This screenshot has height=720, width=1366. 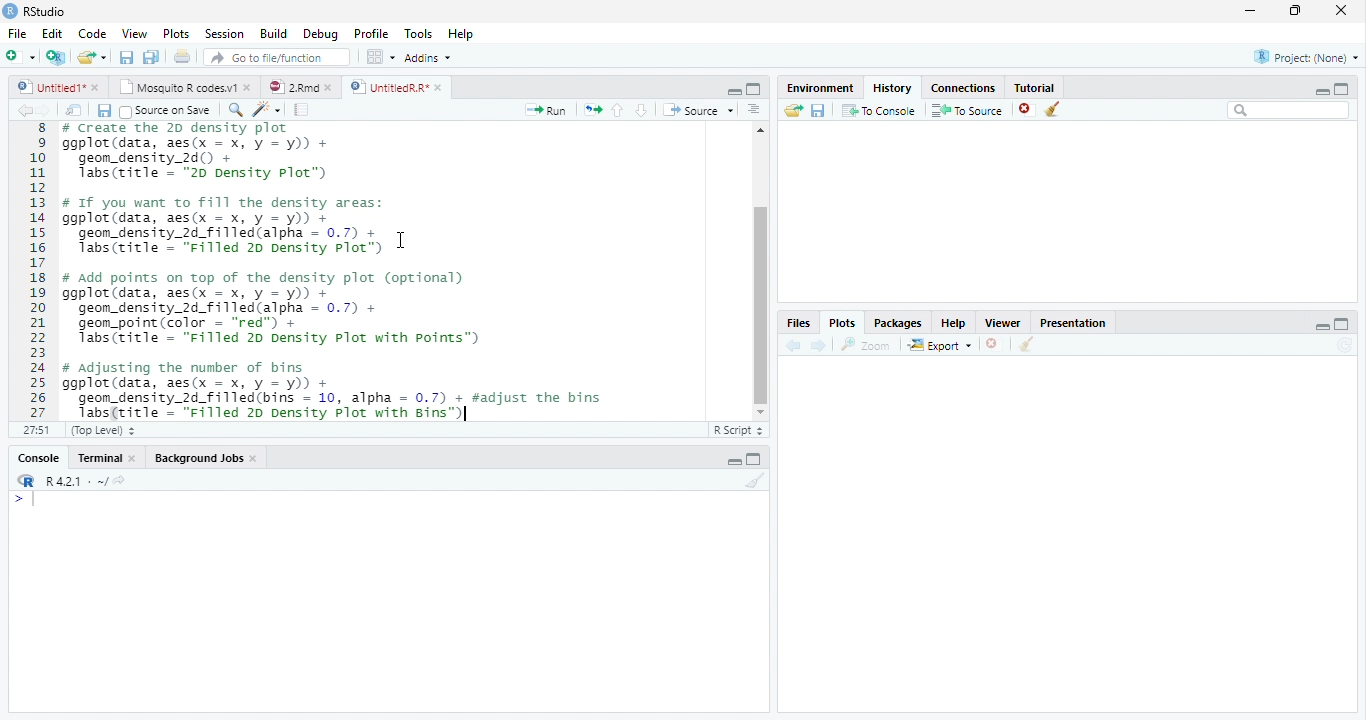 I want to click on Search, so click(x=1289, y=110).